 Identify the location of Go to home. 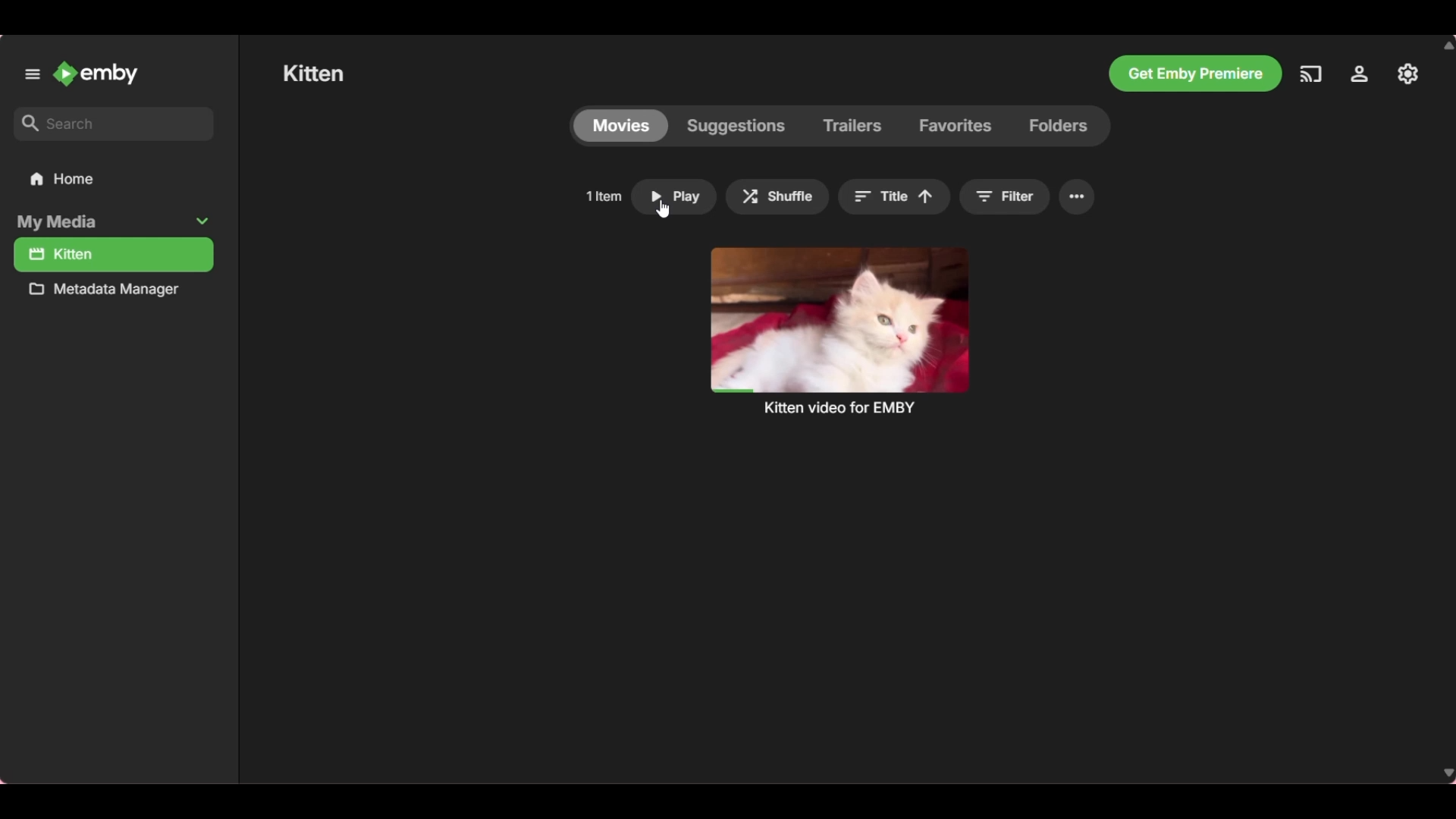
(115, 179).